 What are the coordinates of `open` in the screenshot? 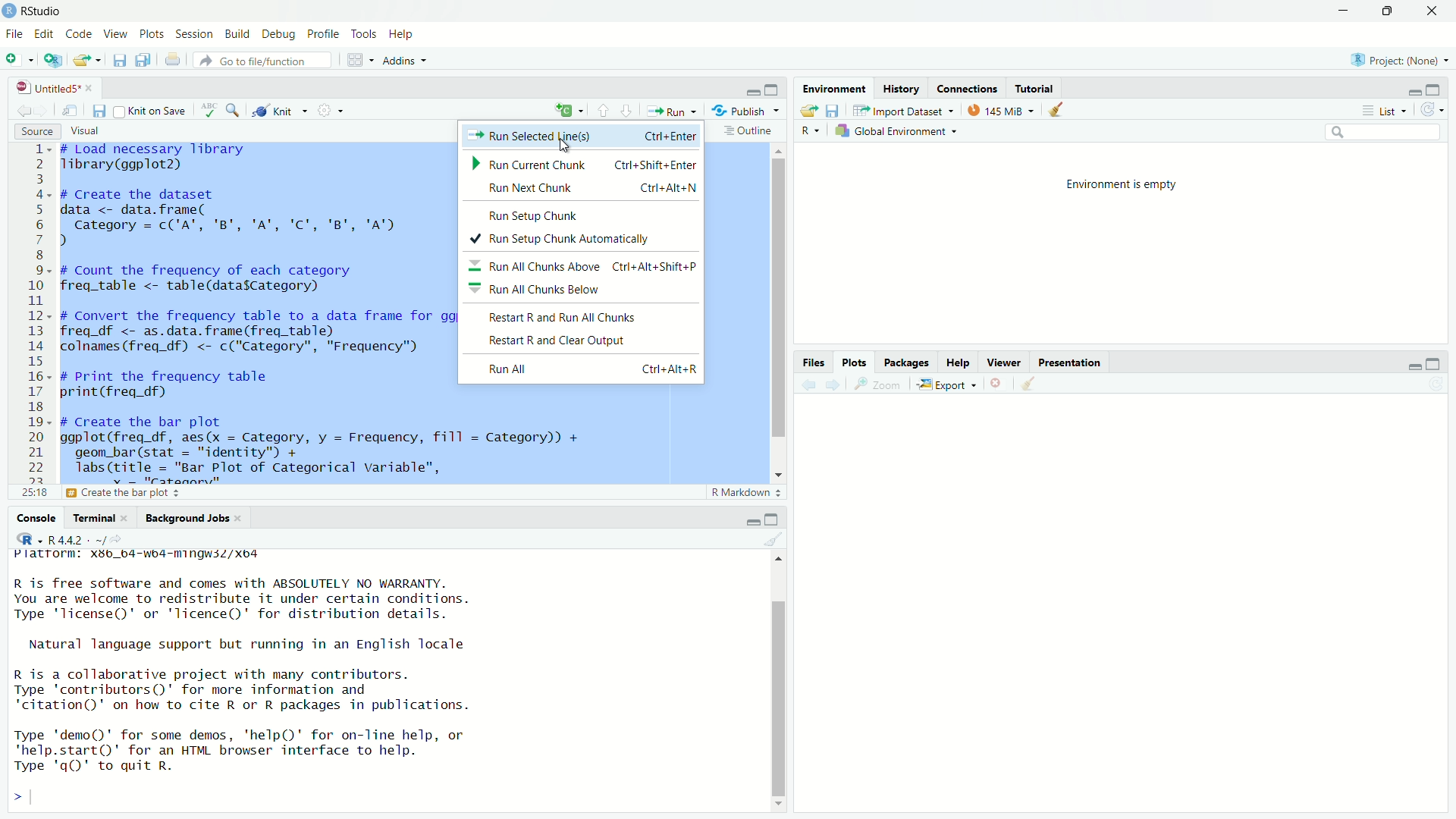 It's located at (811, 111).